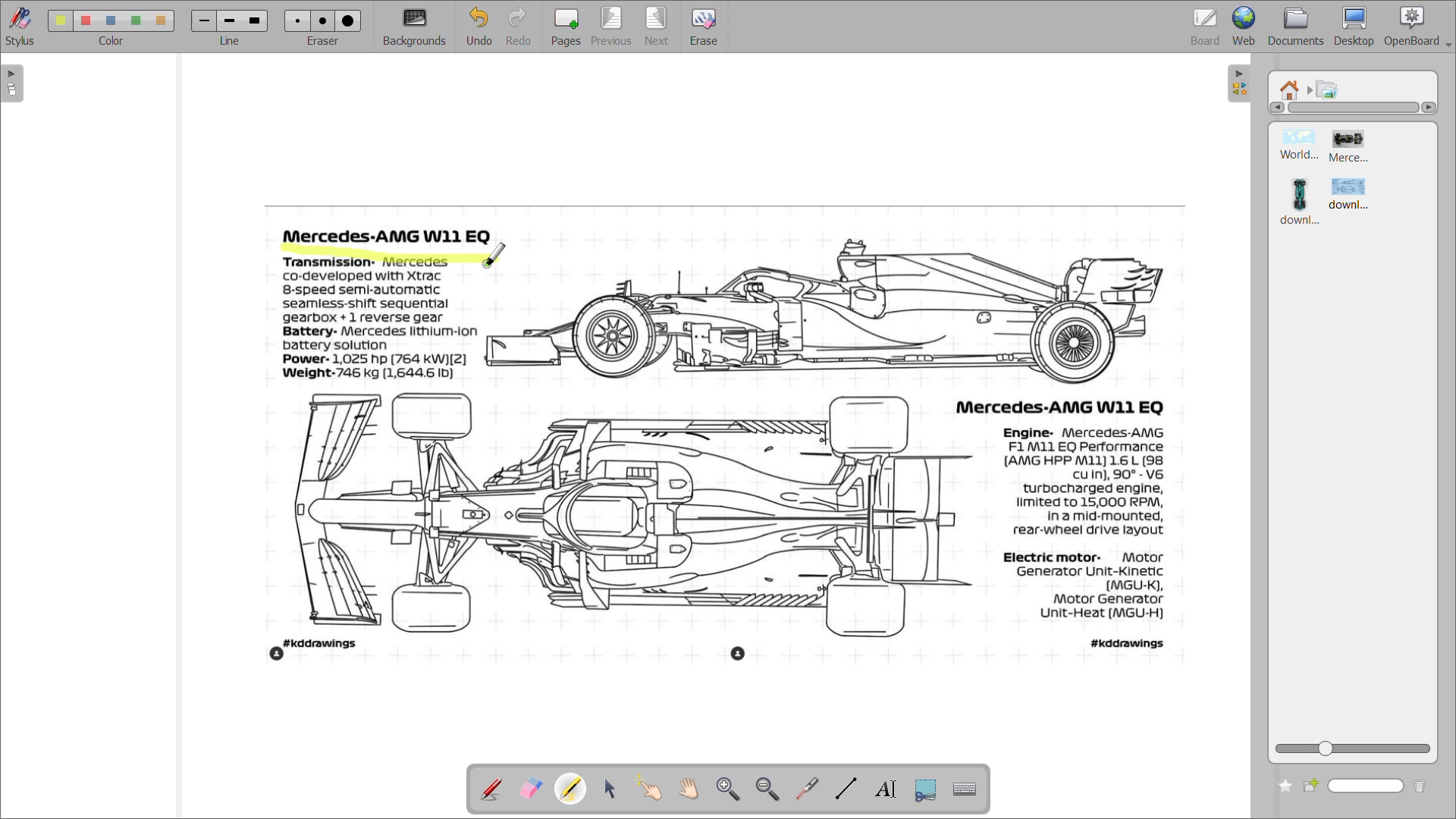 The image size is (1456, 819). What do you see at coordinates (613, 26) in the screenshot?
I see `previous` at bounding box center [613, 26].